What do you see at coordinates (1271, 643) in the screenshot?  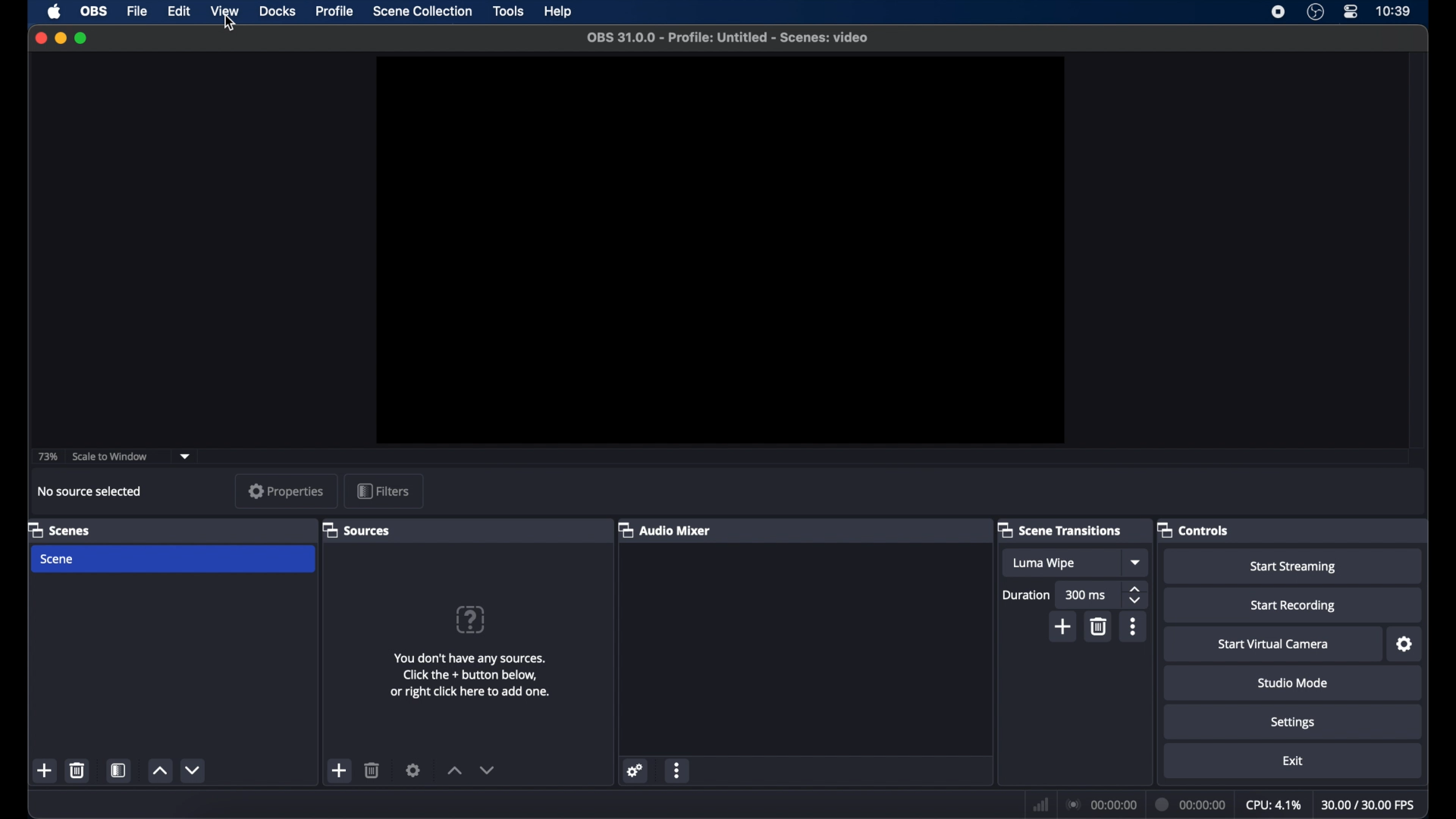 I see `start virtual camera` at bounding box center [1271, 643].